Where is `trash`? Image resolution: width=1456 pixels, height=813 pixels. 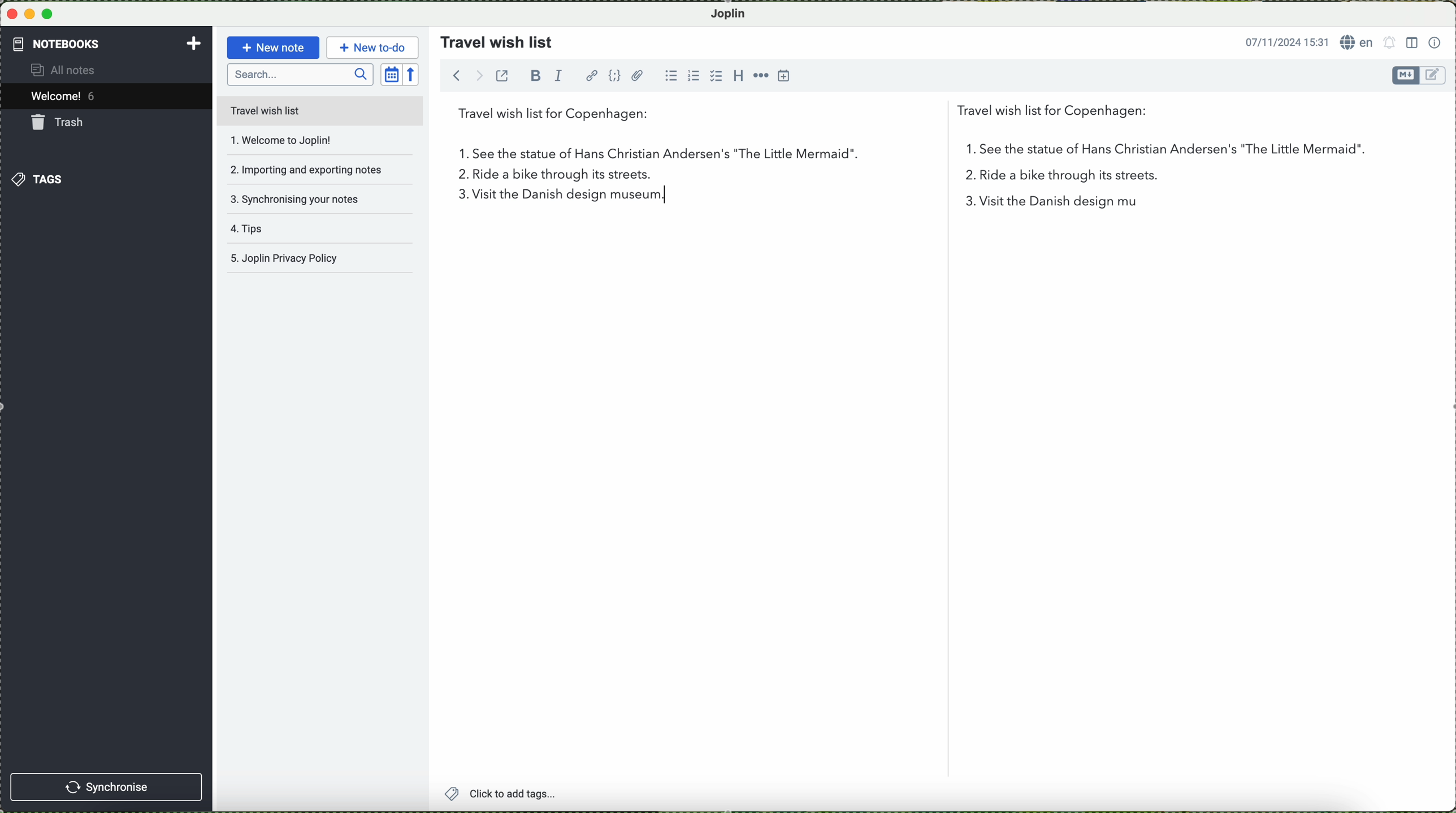
trash is located at coordinates (60, 122).